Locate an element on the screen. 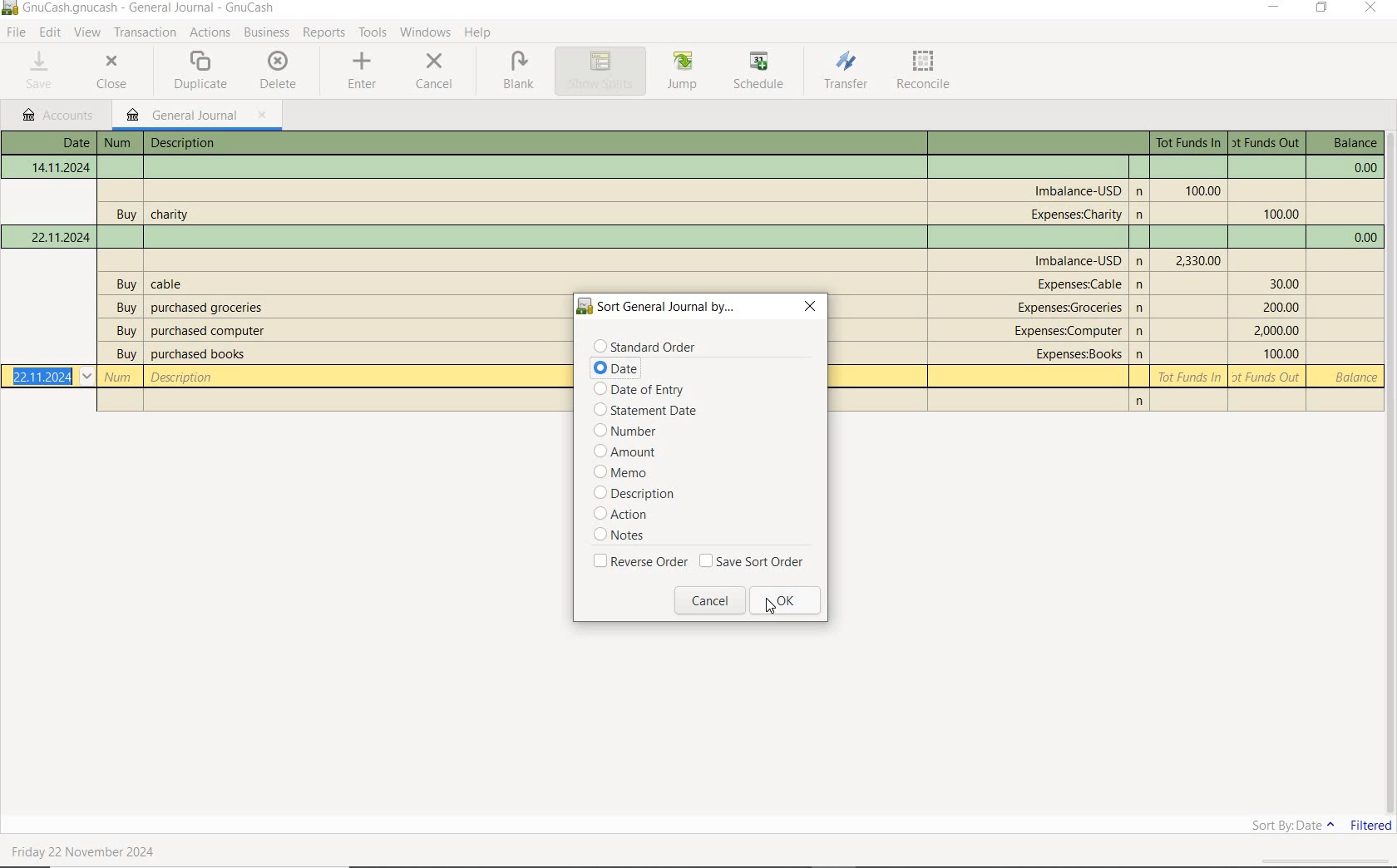 This screenshot has width=1397, height=868. cursor is located at coordinates (769, 607).